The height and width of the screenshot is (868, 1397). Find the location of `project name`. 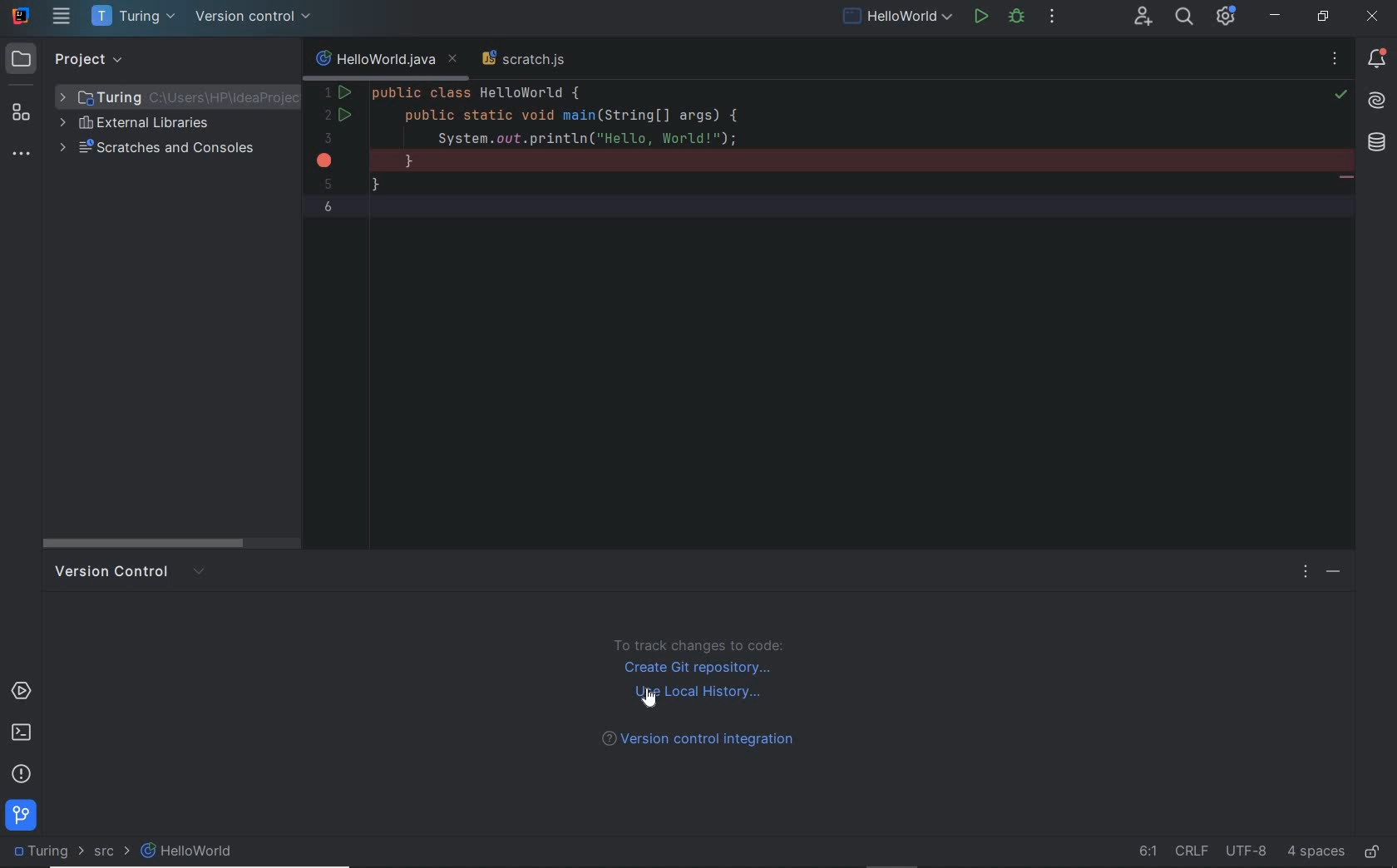

project name is located at coordinates (132, 17).